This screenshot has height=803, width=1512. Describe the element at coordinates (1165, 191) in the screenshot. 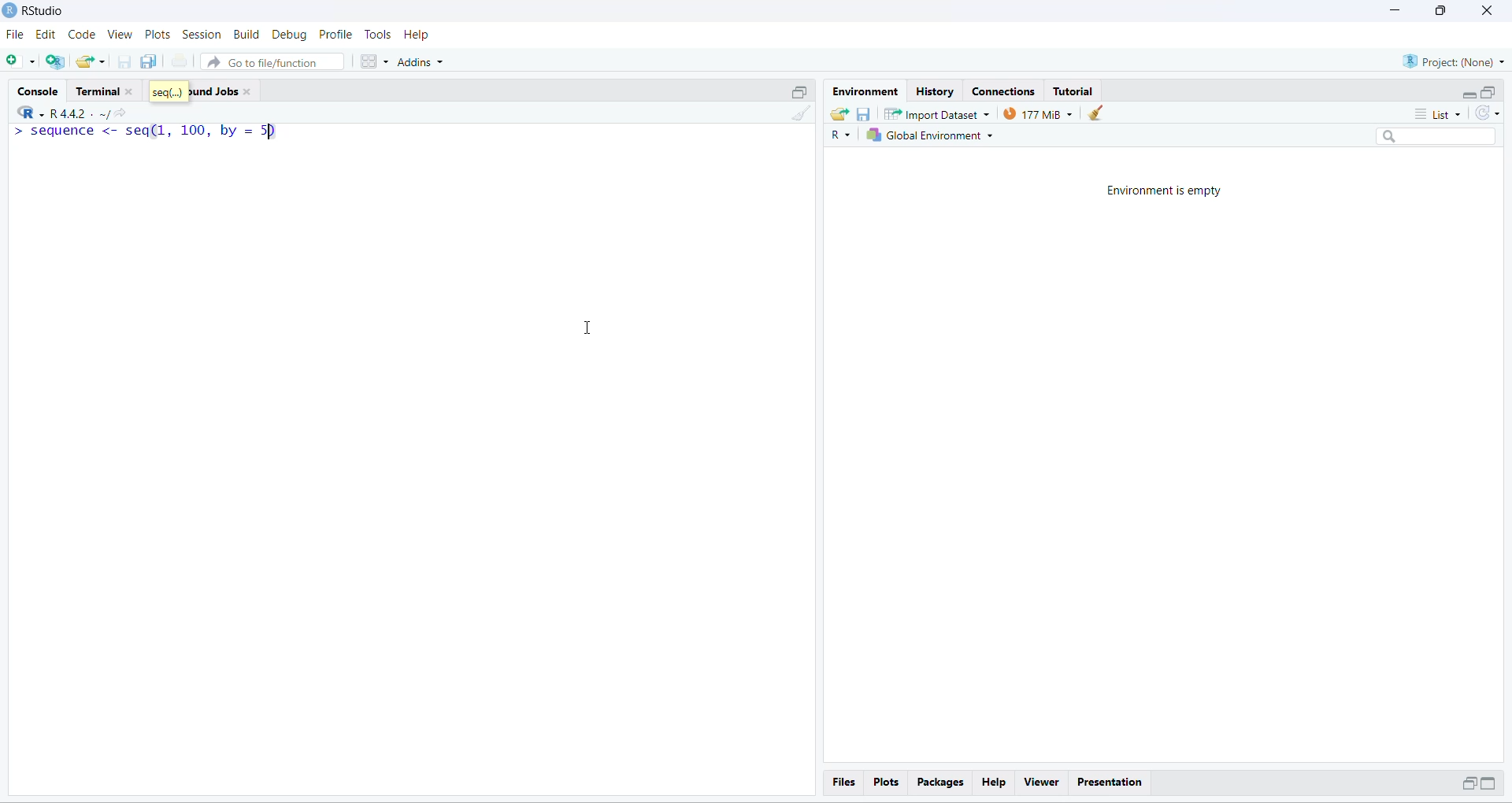

I see `Environment is empty` at that location.